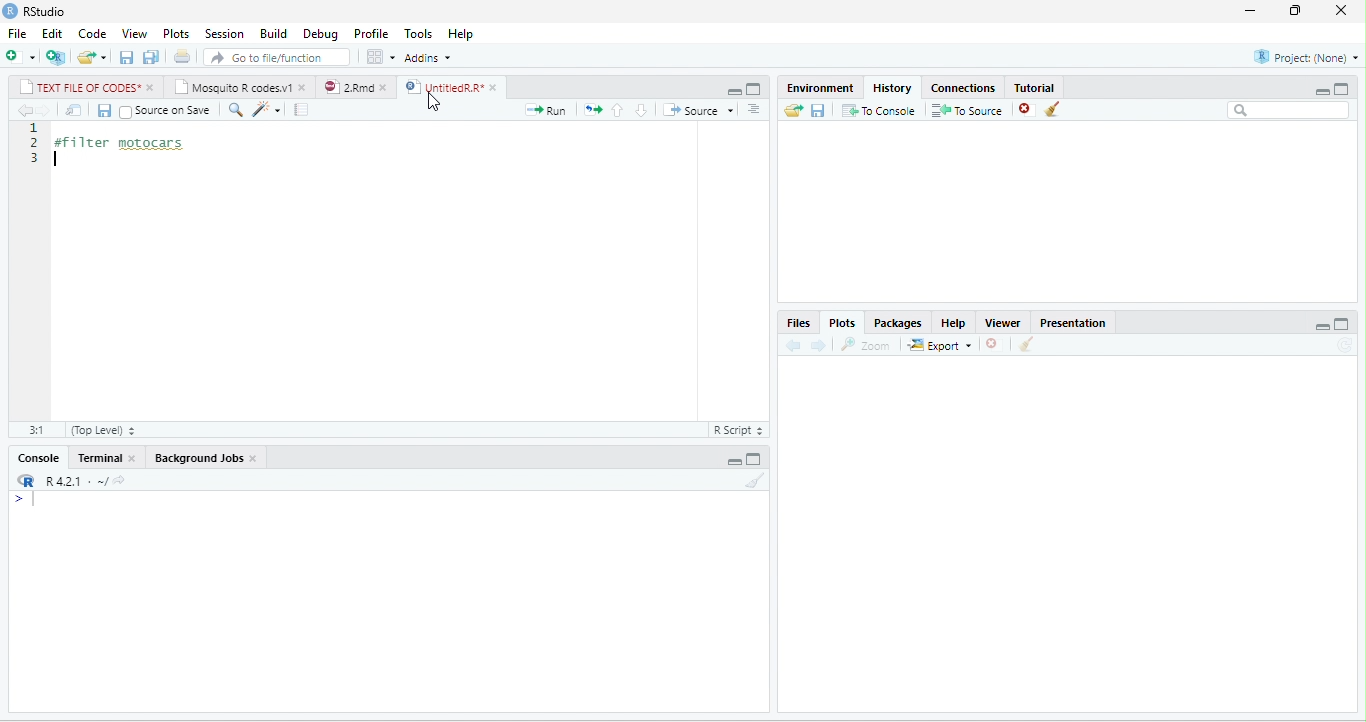 Image resolution: width=1366 pixels, height=722 pixels. Describe the element at coordinates (754, 109) in the screenshot. I see `options` at that location.